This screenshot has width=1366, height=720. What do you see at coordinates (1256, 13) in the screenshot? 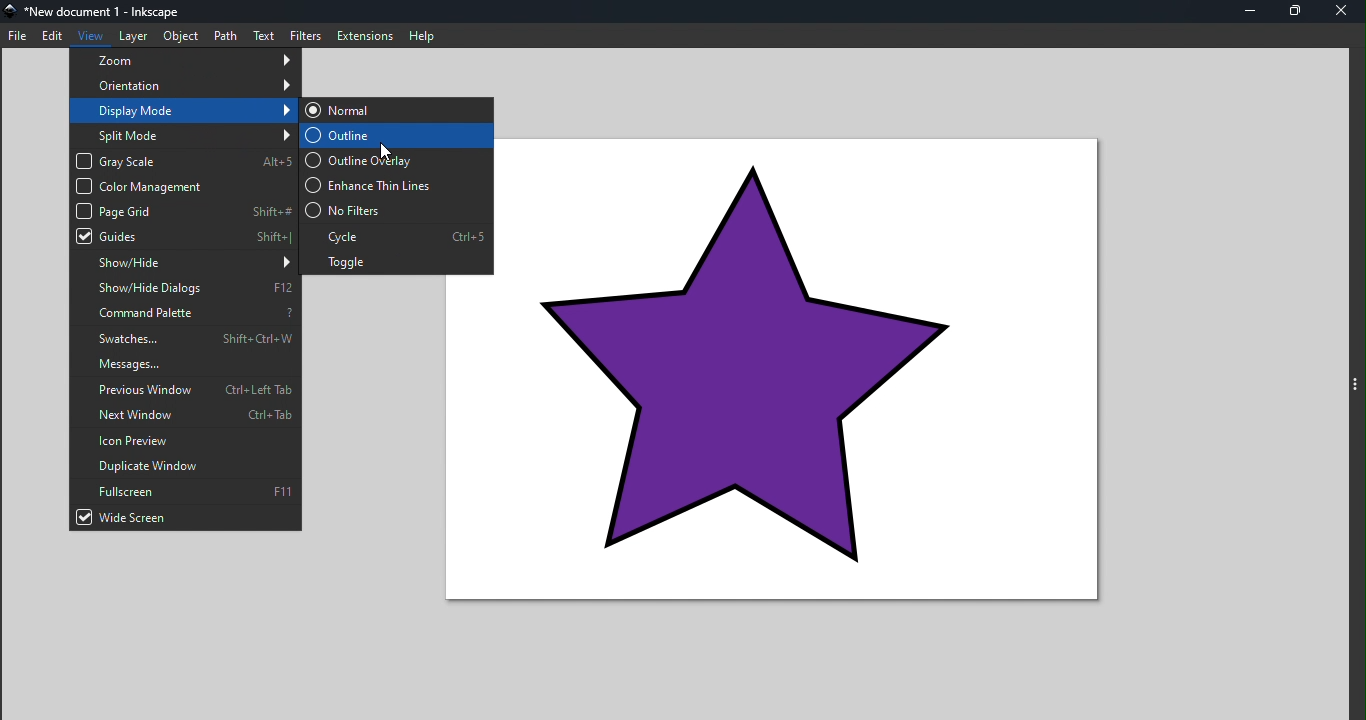
I see `Minimize` at bounding box center [1256, 13].